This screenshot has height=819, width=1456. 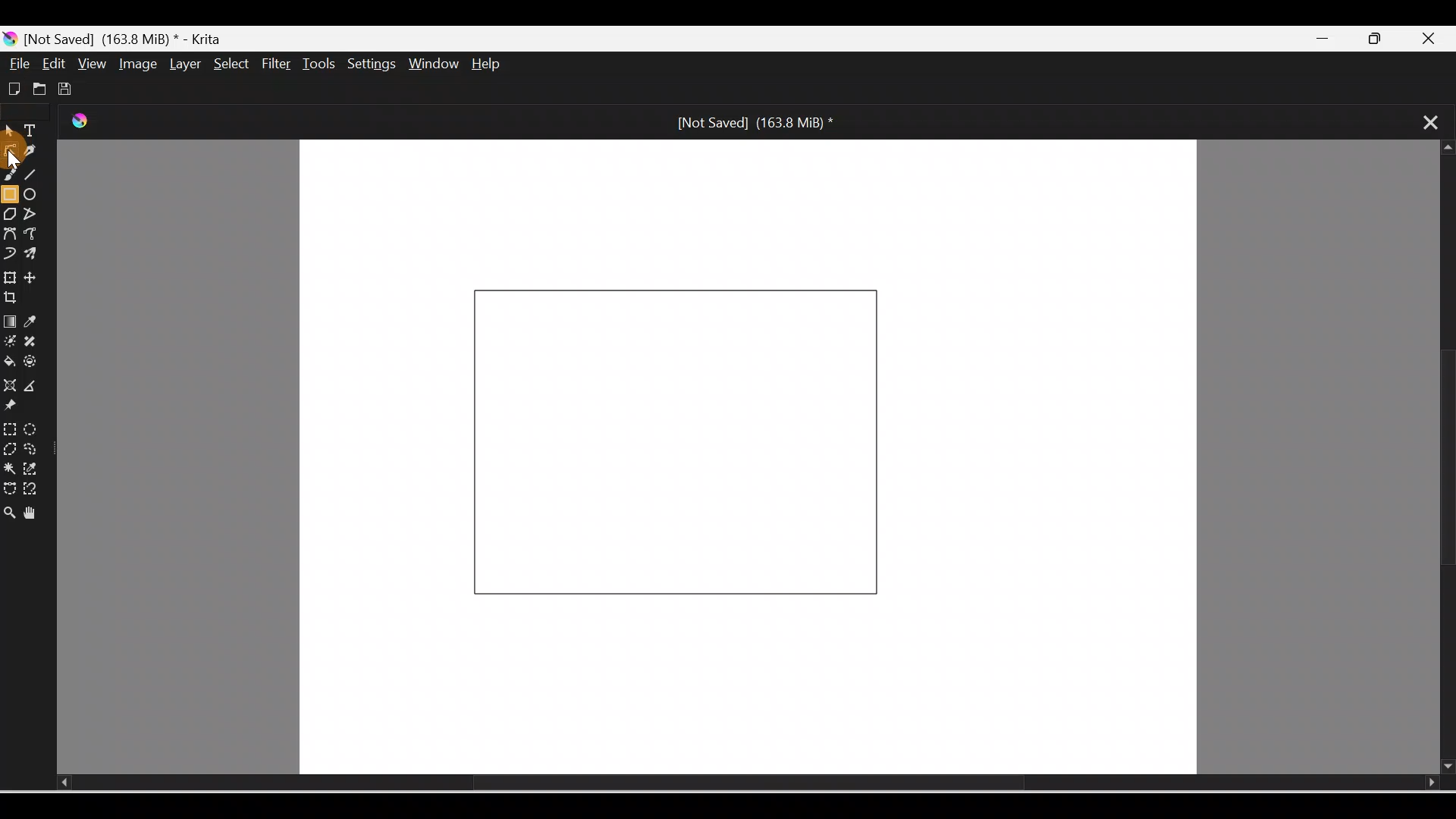 What do you see at coordinates (227, 63) in the screenshot?
I see `Select` at bounding box center [227, 63].